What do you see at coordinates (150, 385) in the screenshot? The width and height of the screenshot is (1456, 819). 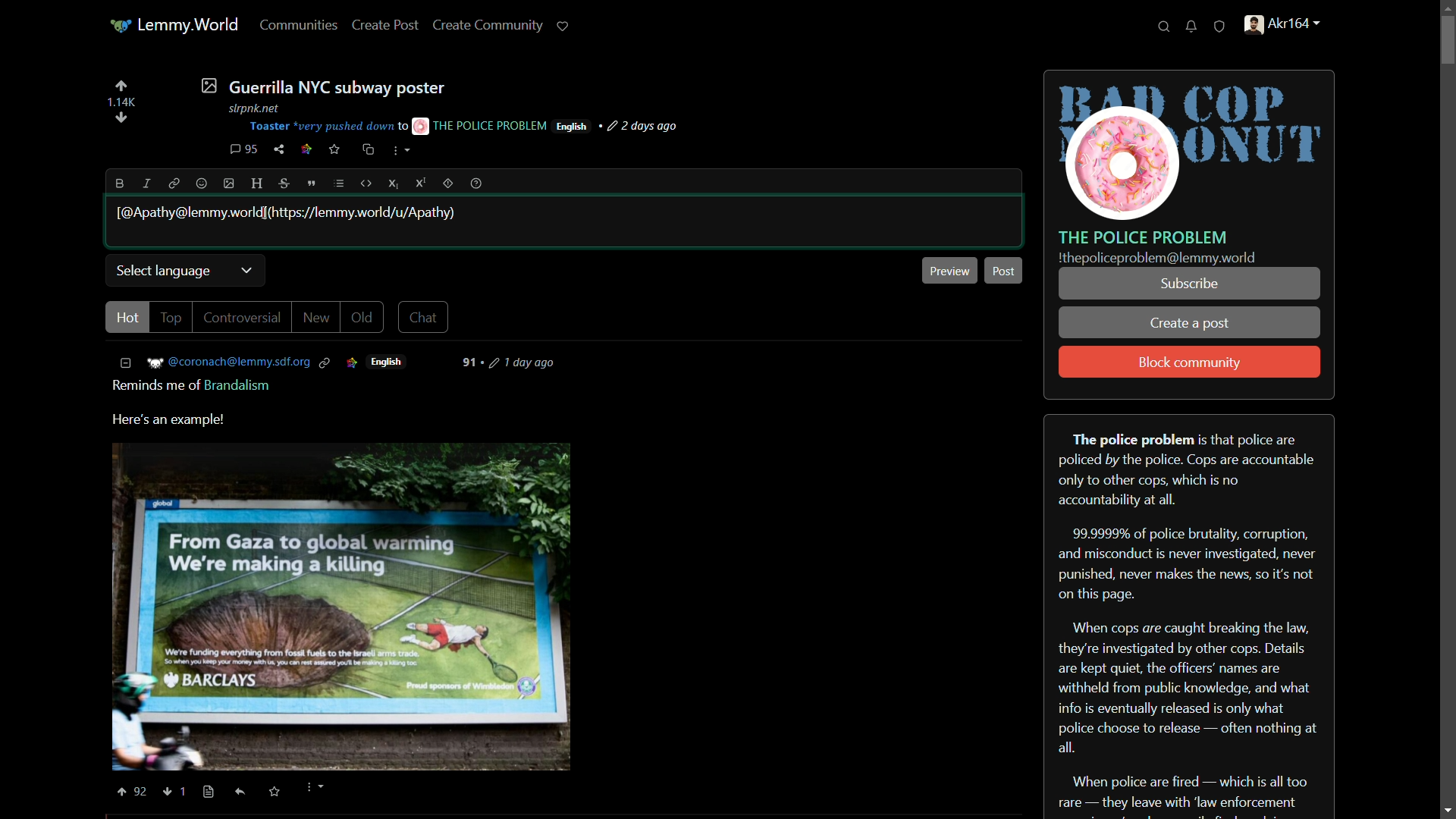 I see `Reminds me of` at bounding box center [150, 385].